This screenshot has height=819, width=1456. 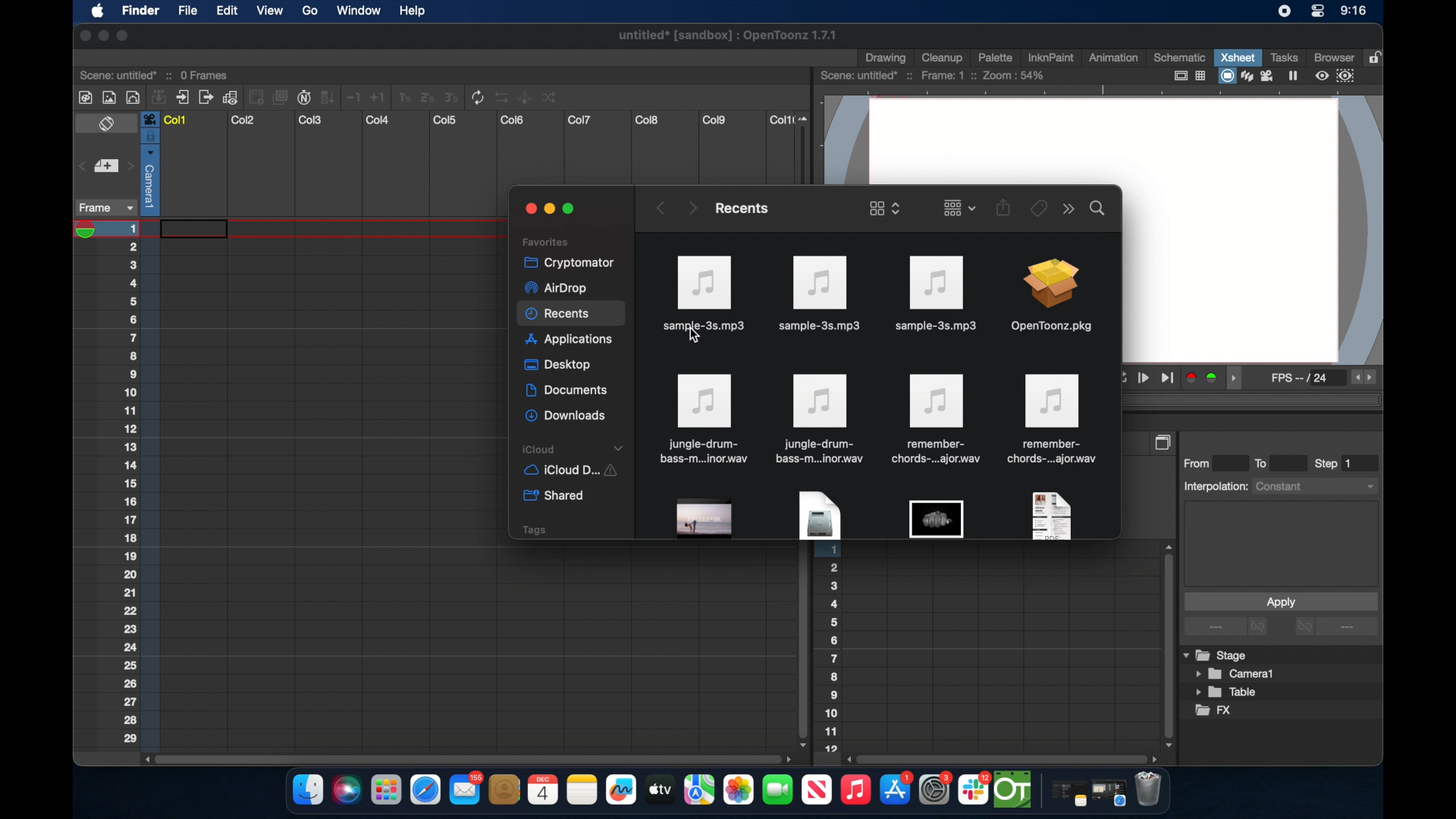 I want to click on icon, so click(x=820, y=419).